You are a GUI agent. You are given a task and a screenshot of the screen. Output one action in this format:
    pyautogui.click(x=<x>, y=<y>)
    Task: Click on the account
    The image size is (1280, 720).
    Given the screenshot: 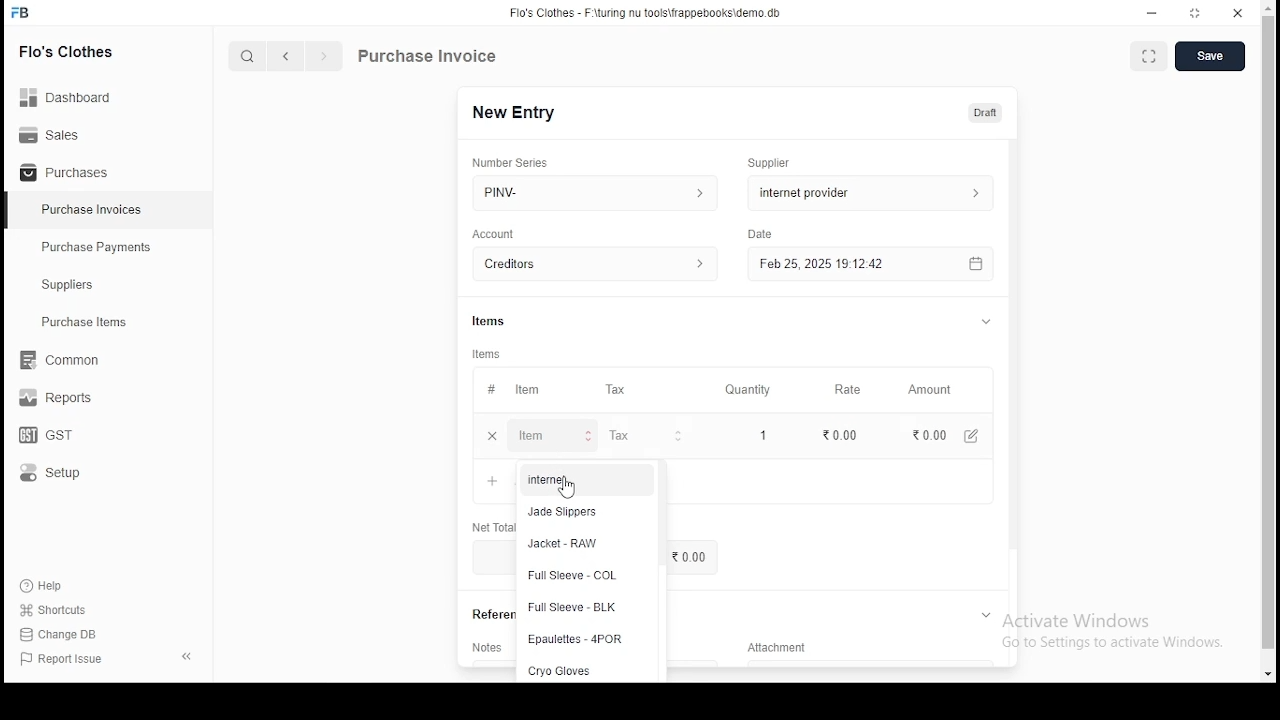 What is the action you would take?
    pyautogui.click(x=598, y=265)
    